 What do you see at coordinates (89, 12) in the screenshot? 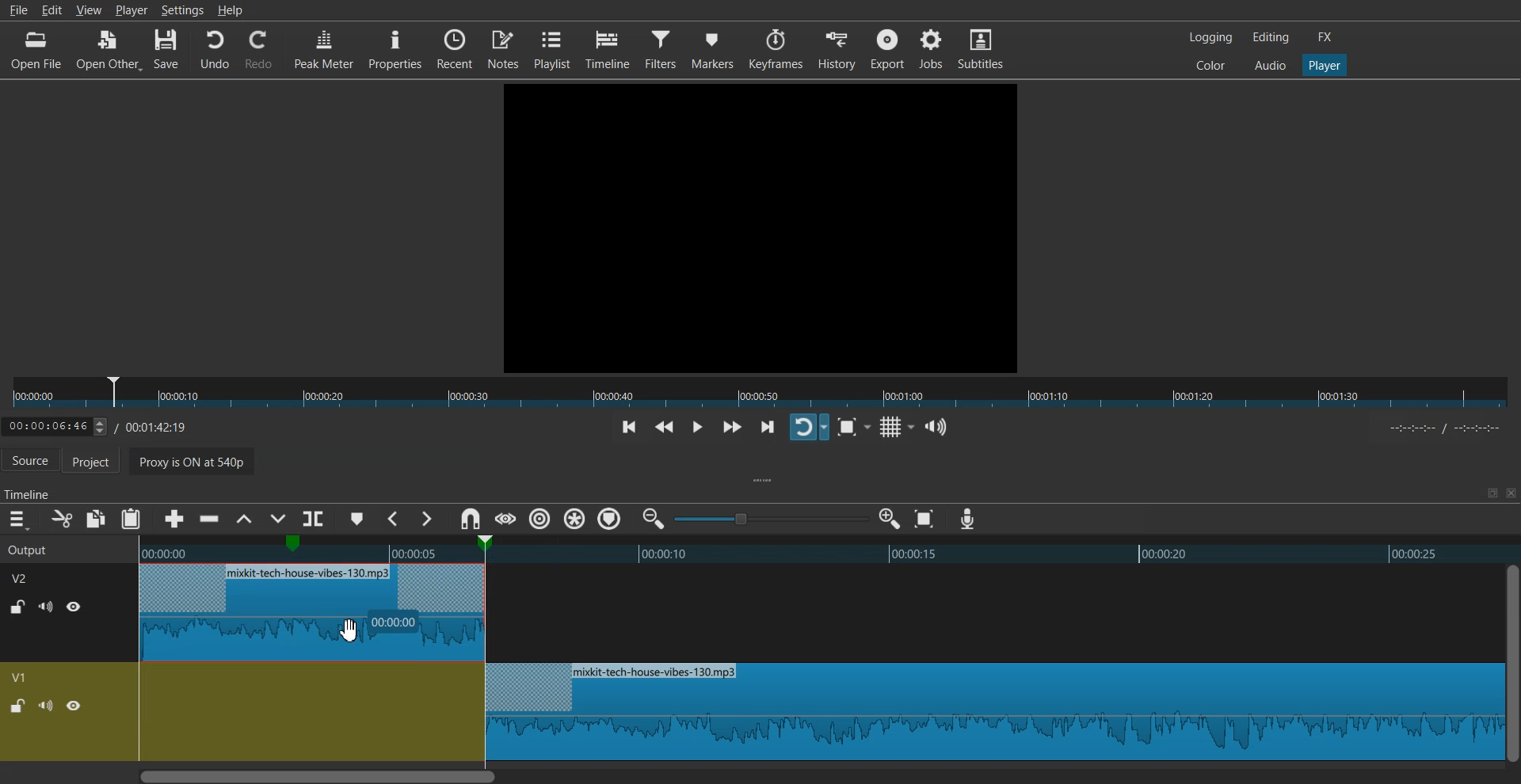
I see `View` at bounding box center [89, 12].